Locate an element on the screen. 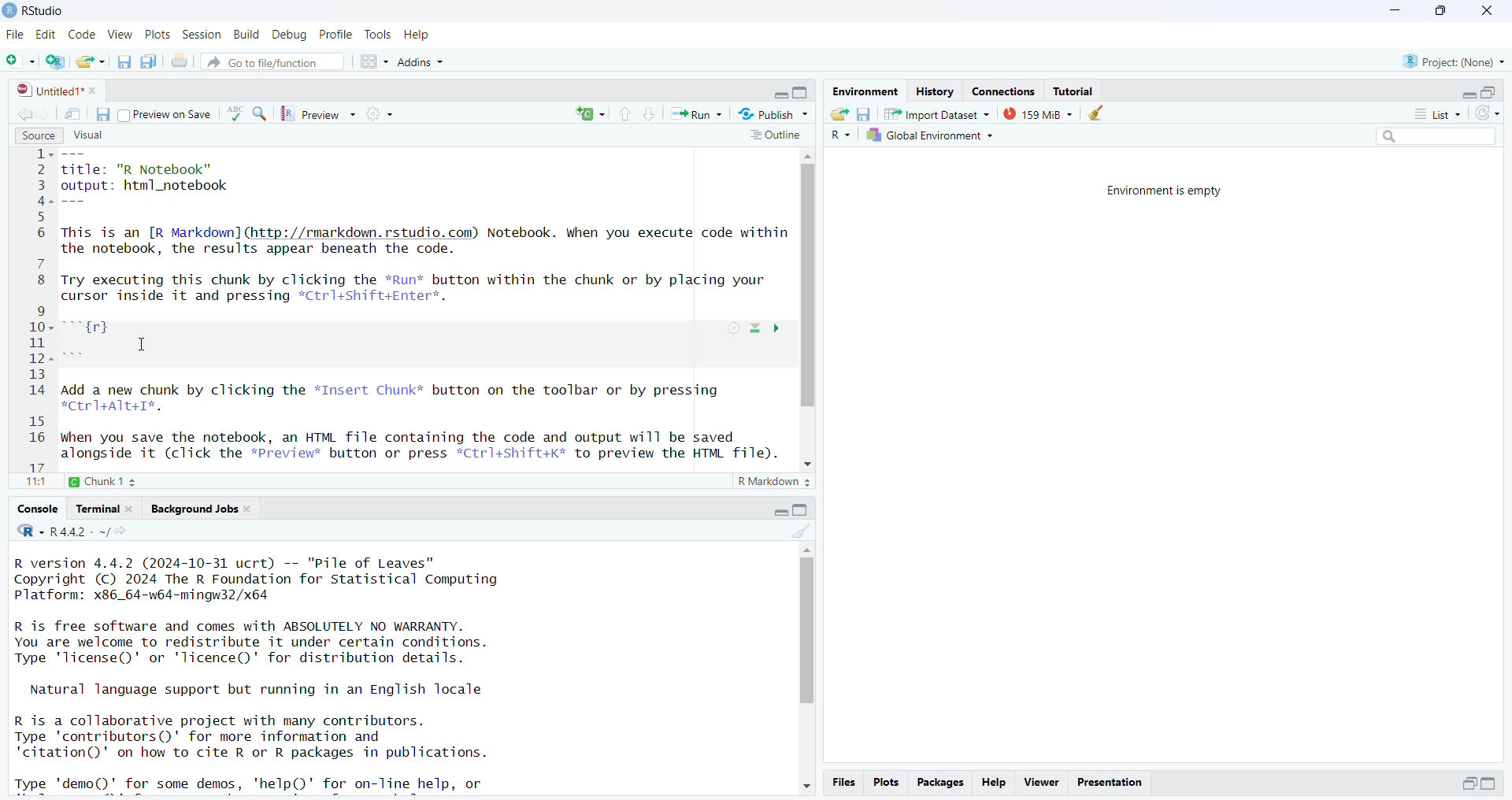 This screenshot has width=1512, height=800. Import dataset is located at coordinates (936, 113).